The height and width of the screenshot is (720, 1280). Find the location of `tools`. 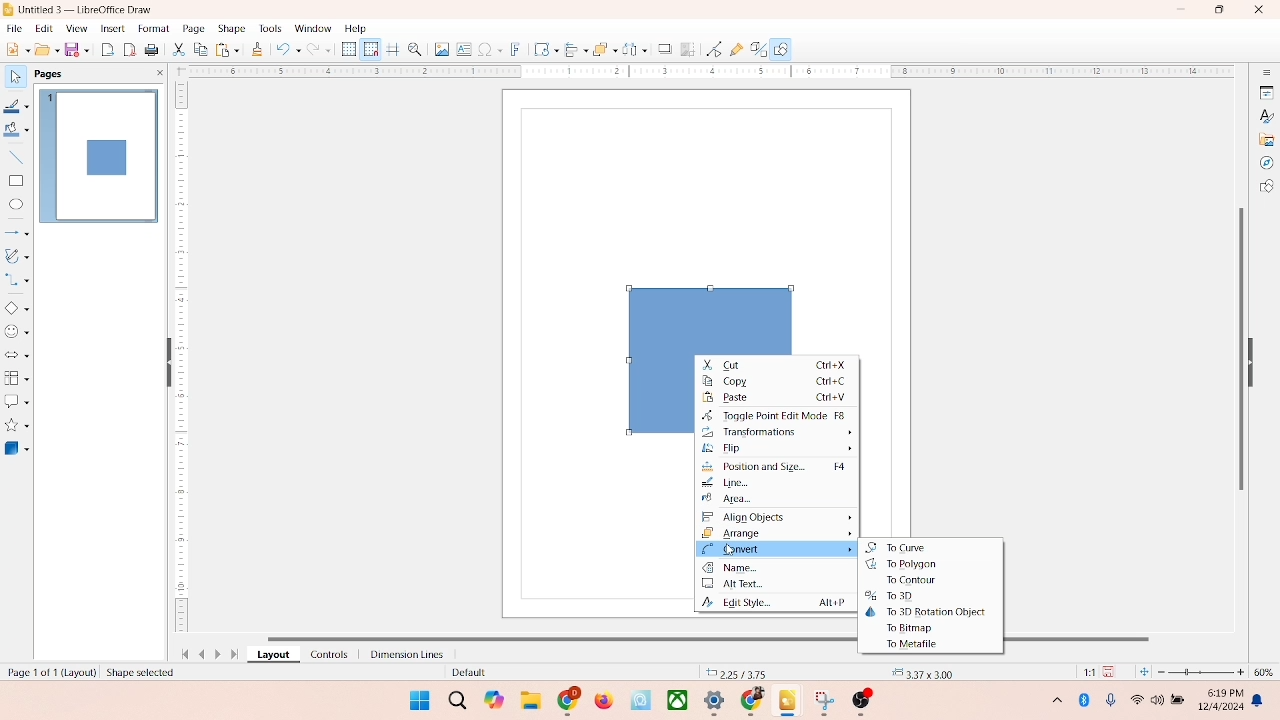

tools is located at coordinates (269, 28).